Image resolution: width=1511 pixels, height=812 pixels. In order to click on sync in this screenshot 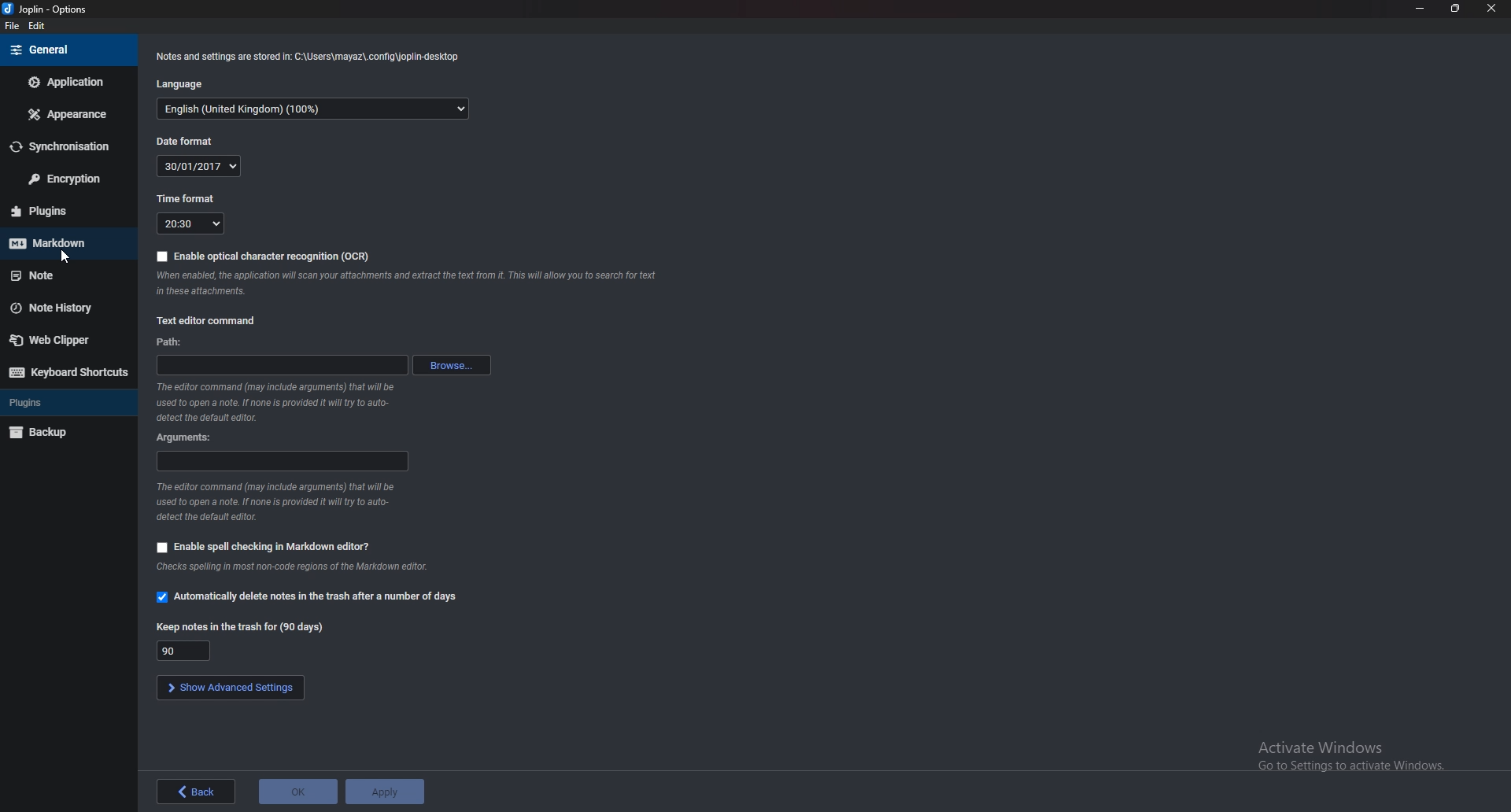, I will do `click(65, 146)`.